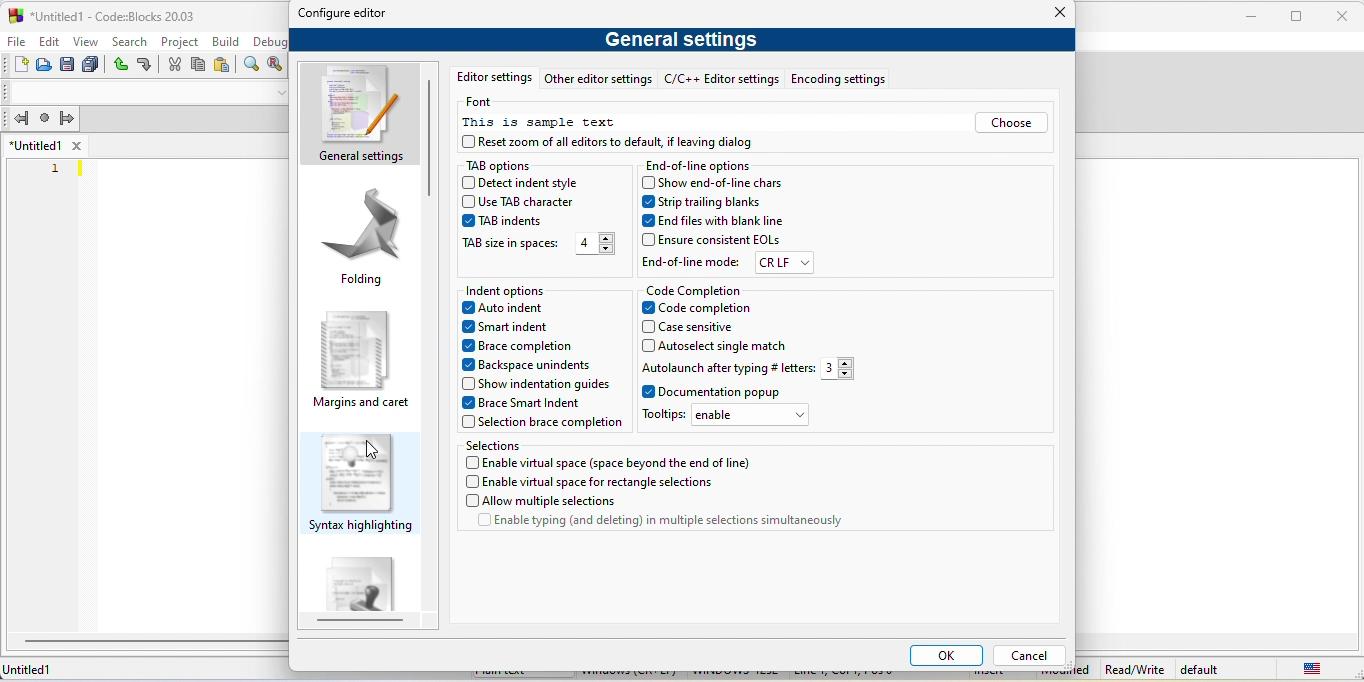  What do you see at coordinates (372, 447) in the screenshot?
I see `cursor movement` at bounding box center [372, 447].